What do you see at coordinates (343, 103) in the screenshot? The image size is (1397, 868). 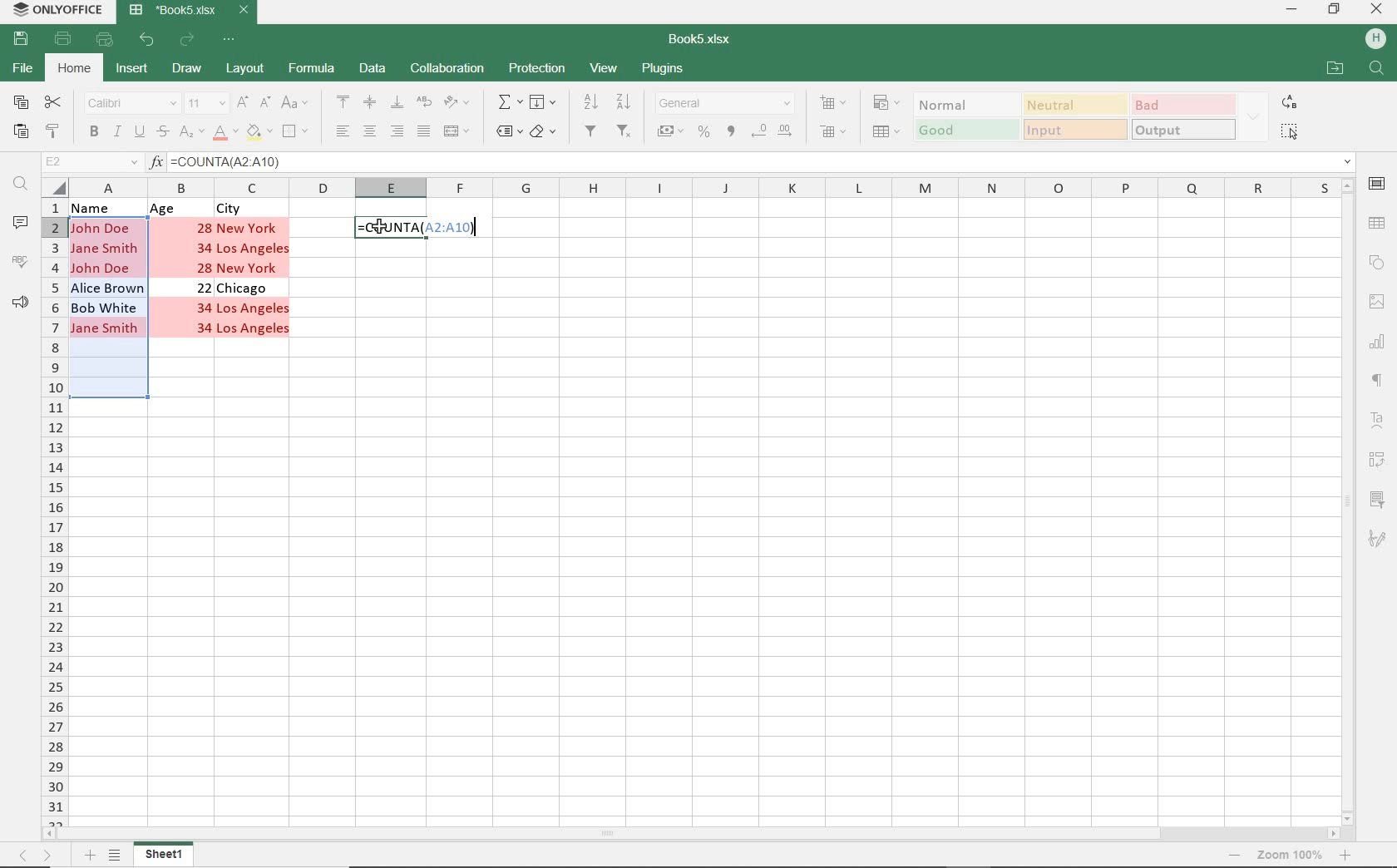 I see `ALIGN TOP` at bounding box center [343, 103].